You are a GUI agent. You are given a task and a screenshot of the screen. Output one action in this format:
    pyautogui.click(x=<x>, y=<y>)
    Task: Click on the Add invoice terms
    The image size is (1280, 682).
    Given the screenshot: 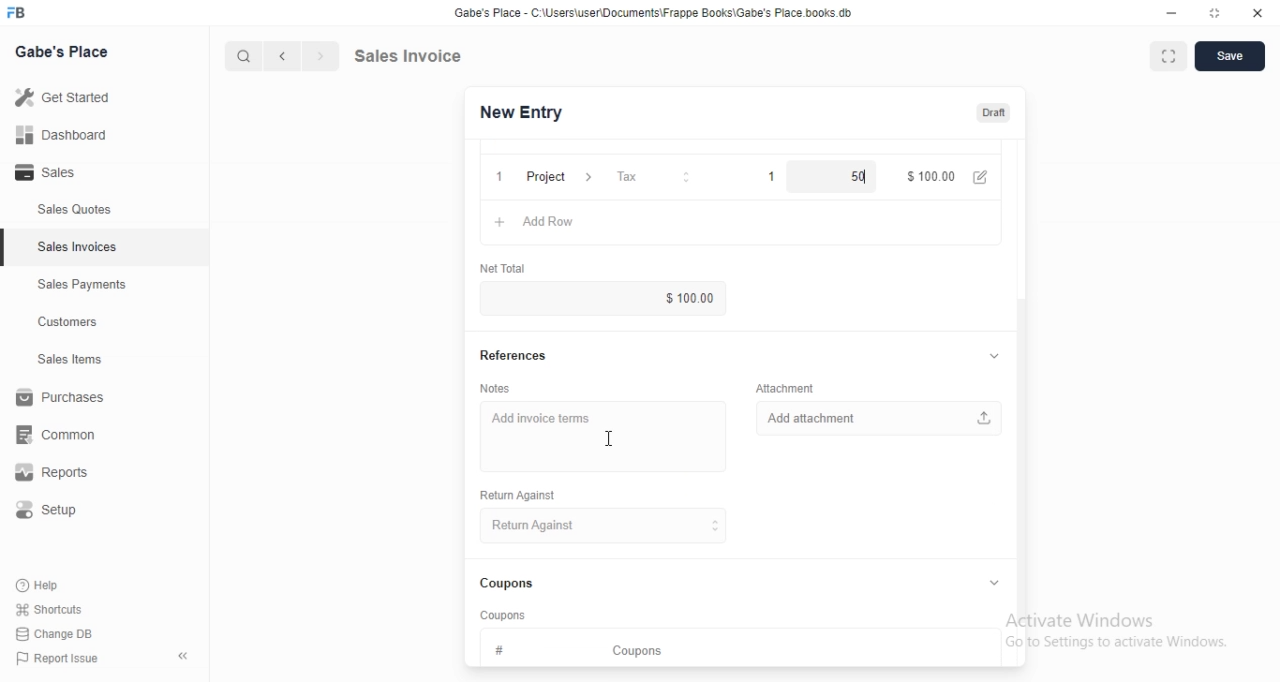 What is the action you would take?
    pyautogui.click(x=595, y=428)
    